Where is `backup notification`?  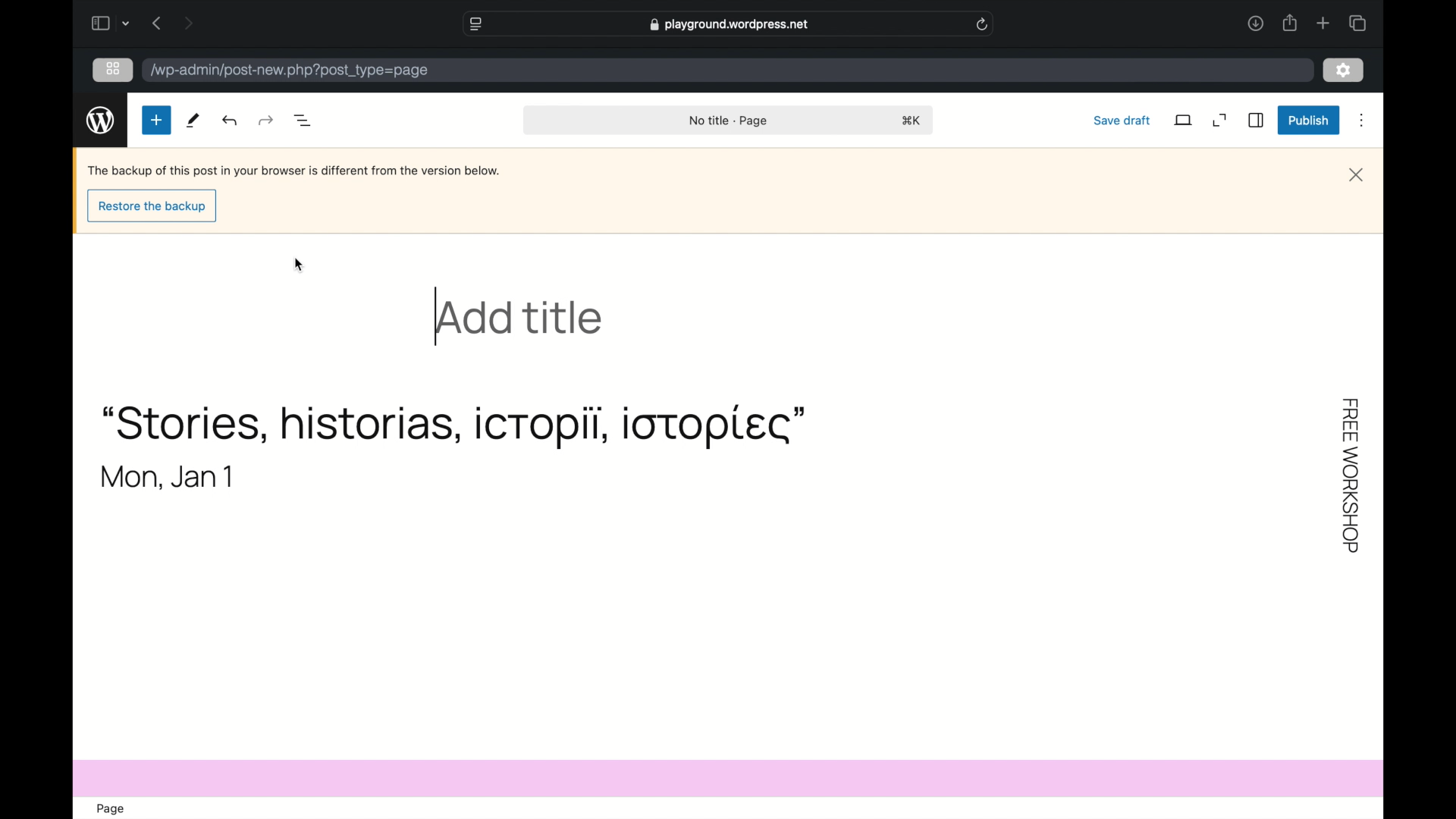
backup notification is located at coordinates (294, 171).